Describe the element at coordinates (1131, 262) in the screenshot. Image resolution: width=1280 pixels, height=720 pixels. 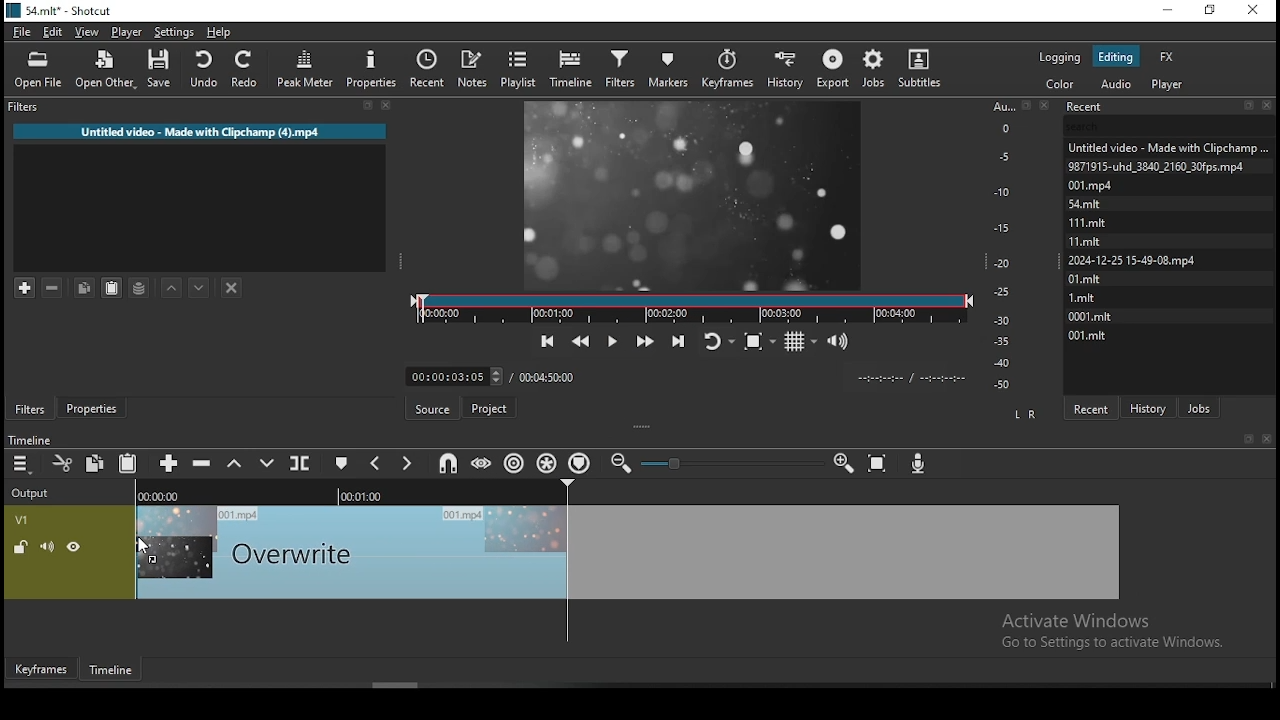
I see `files` at that location.